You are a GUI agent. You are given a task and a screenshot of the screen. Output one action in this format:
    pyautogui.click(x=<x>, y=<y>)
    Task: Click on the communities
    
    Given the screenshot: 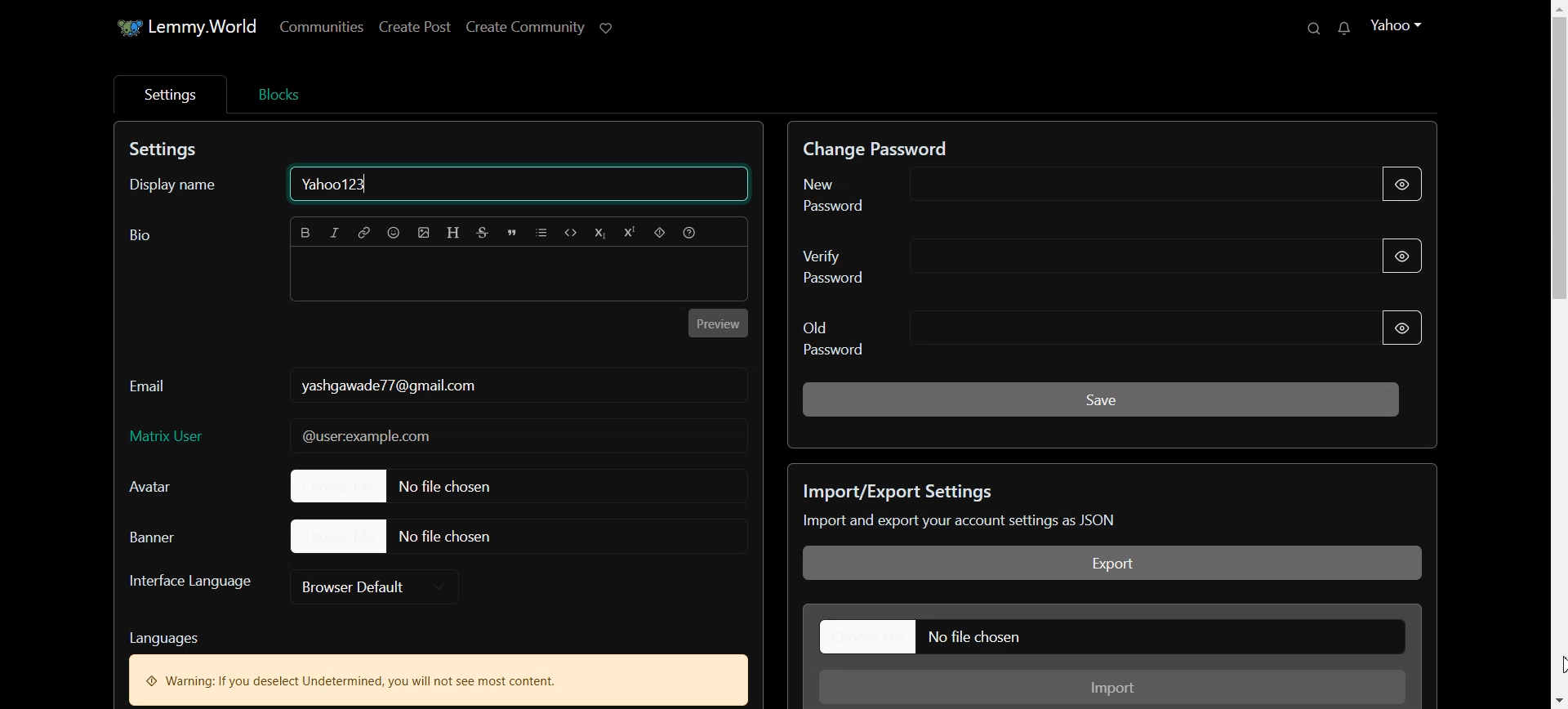 What is the action you would take?
    pyautogui.click(x=326, y=26)
    